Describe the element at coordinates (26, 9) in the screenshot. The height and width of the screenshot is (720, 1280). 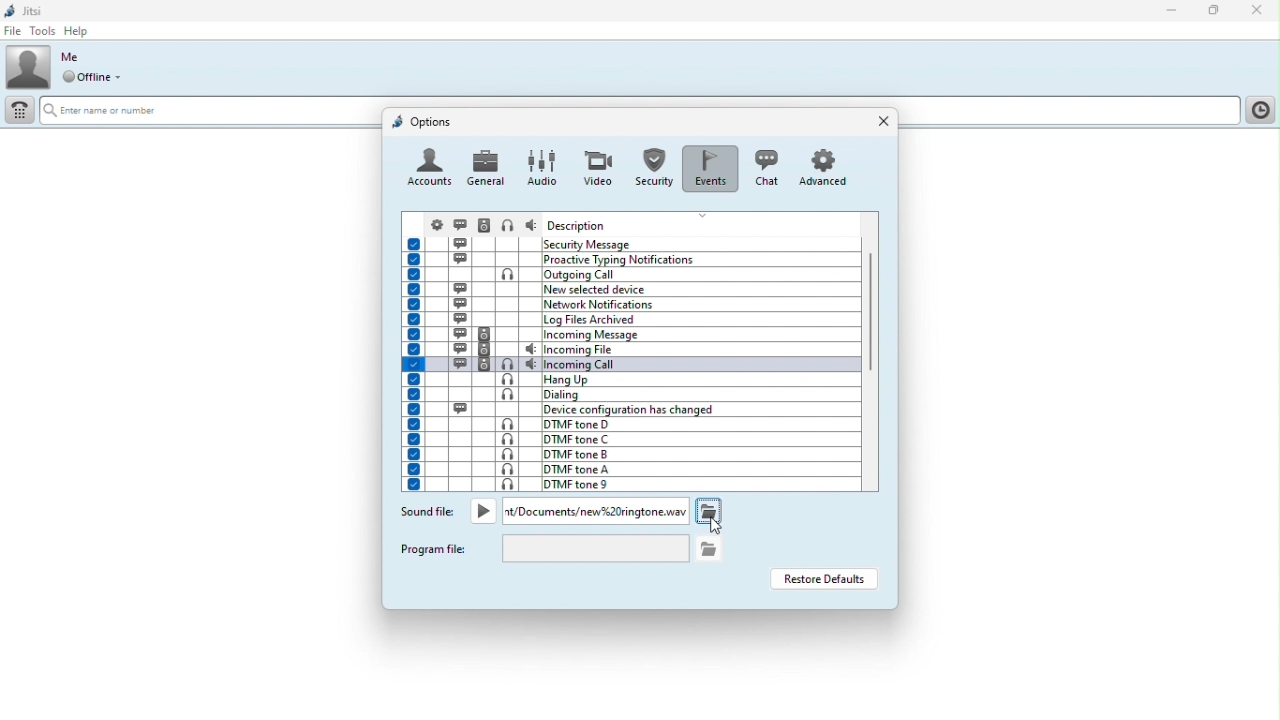
I see `Jitsi` at that location.